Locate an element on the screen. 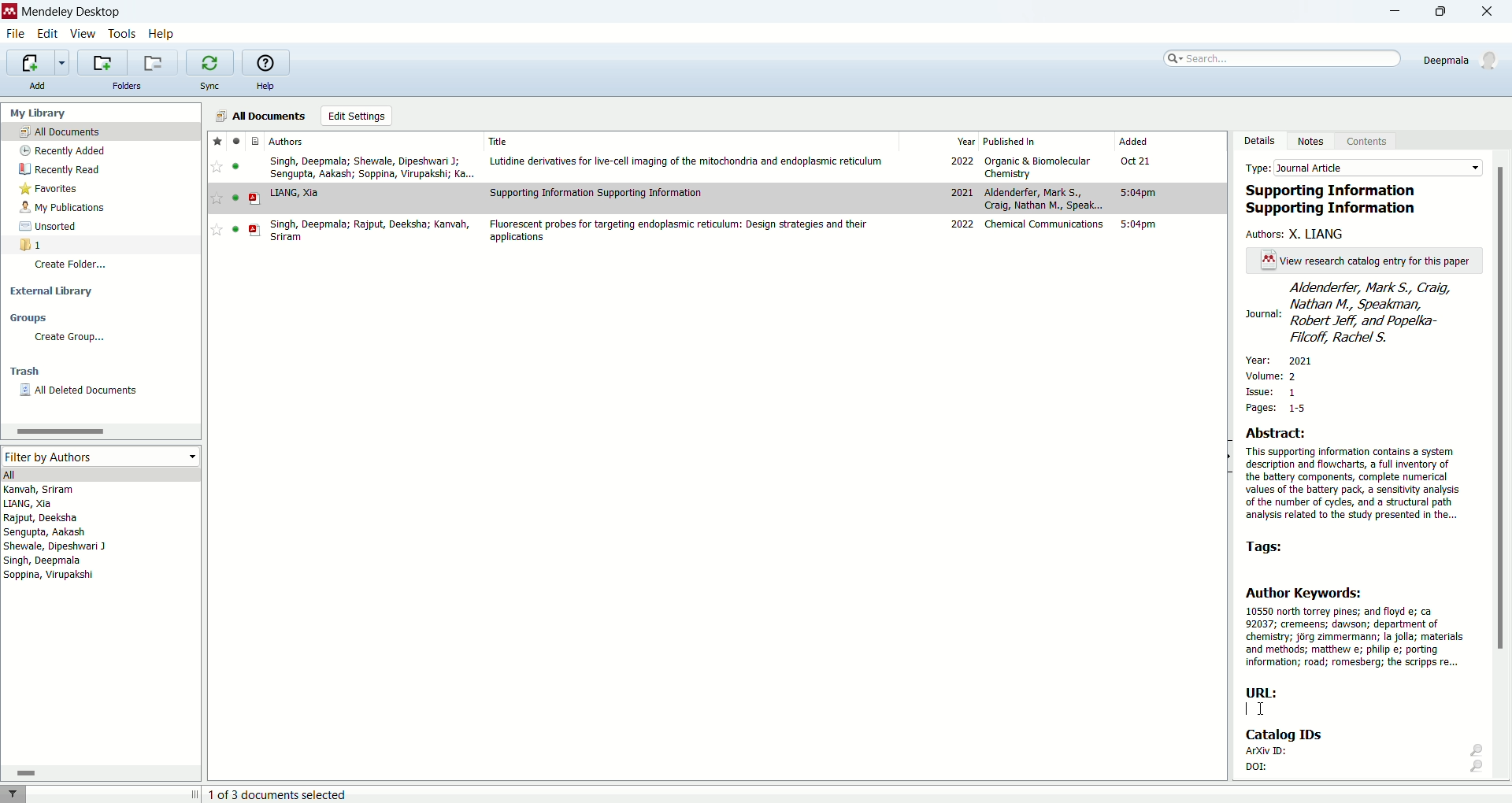 This screenshot has height=803, width=1512. catalog IDs is located at coordinates (1298, 735).